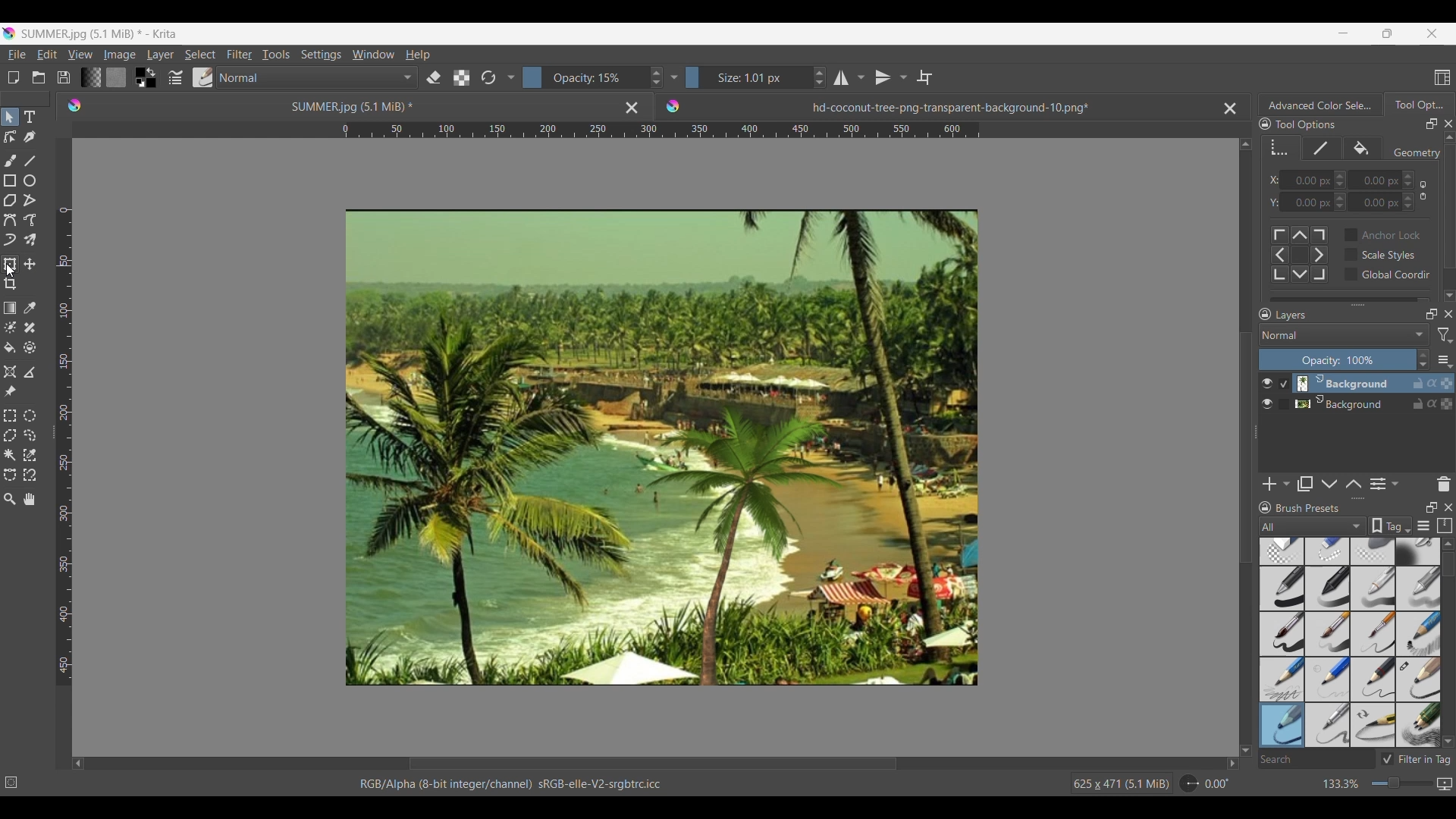 The image size is (1456, 819). Describe the element at coordinates (38, 77) in the screenshot. I see `Open an existing document` at that location.